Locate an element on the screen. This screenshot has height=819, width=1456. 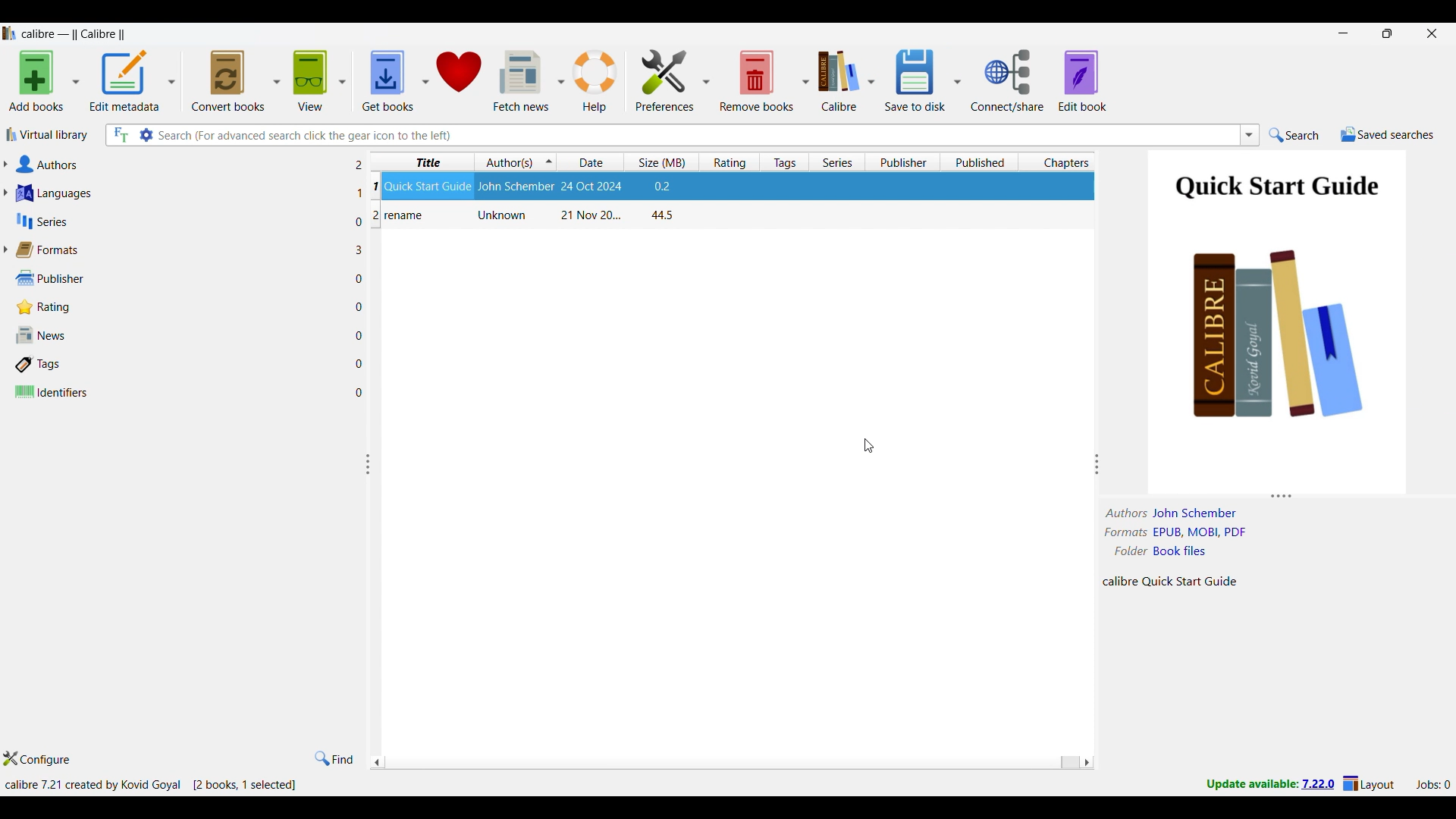
Book preview is located at coordinates (1281, 320).